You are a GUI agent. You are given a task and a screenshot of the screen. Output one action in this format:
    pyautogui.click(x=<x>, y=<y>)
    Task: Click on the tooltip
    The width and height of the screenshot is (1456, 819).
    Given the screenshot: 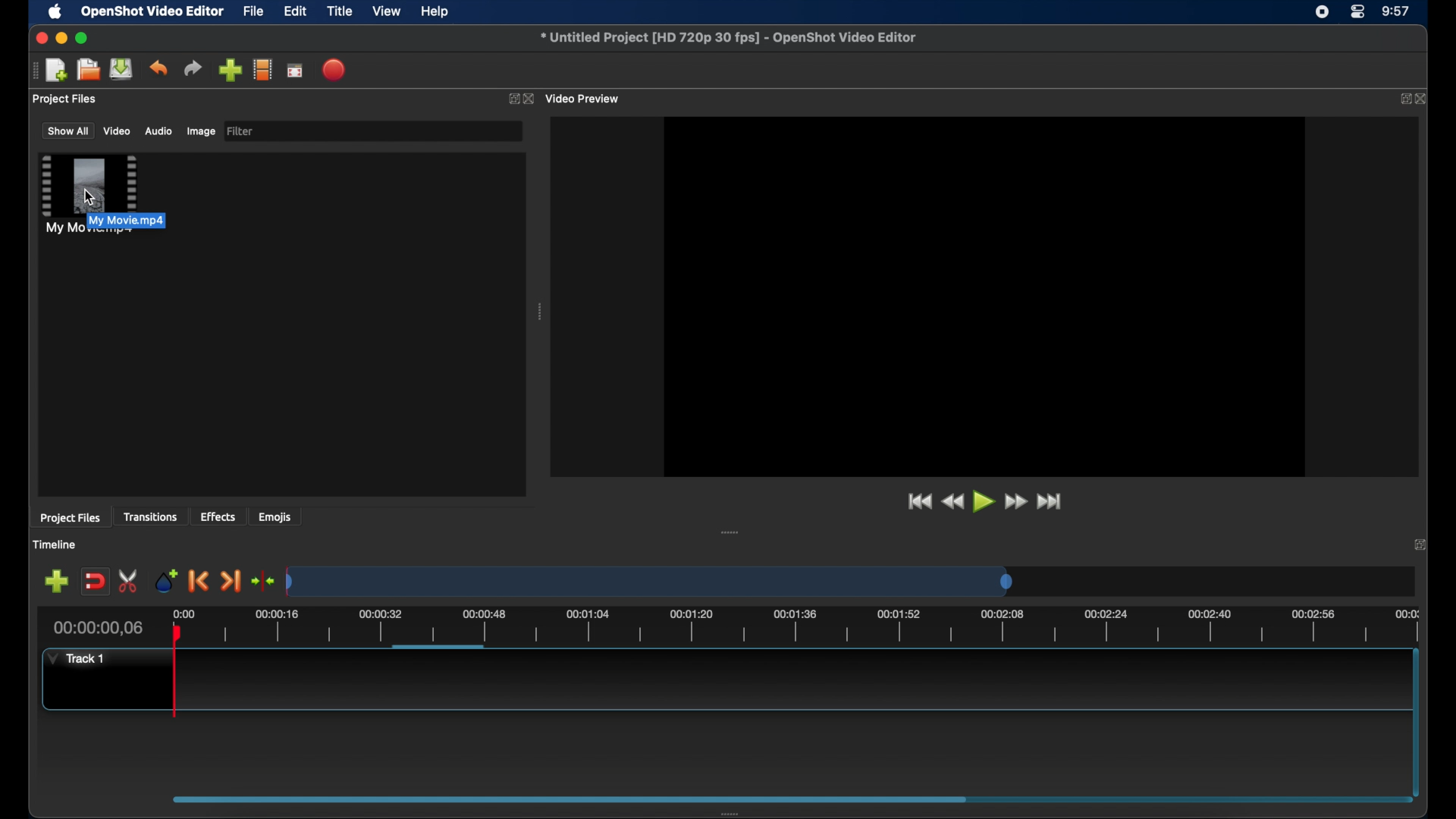 What is the action you would take?
    pyautogui.click(x=159, y=221)
    